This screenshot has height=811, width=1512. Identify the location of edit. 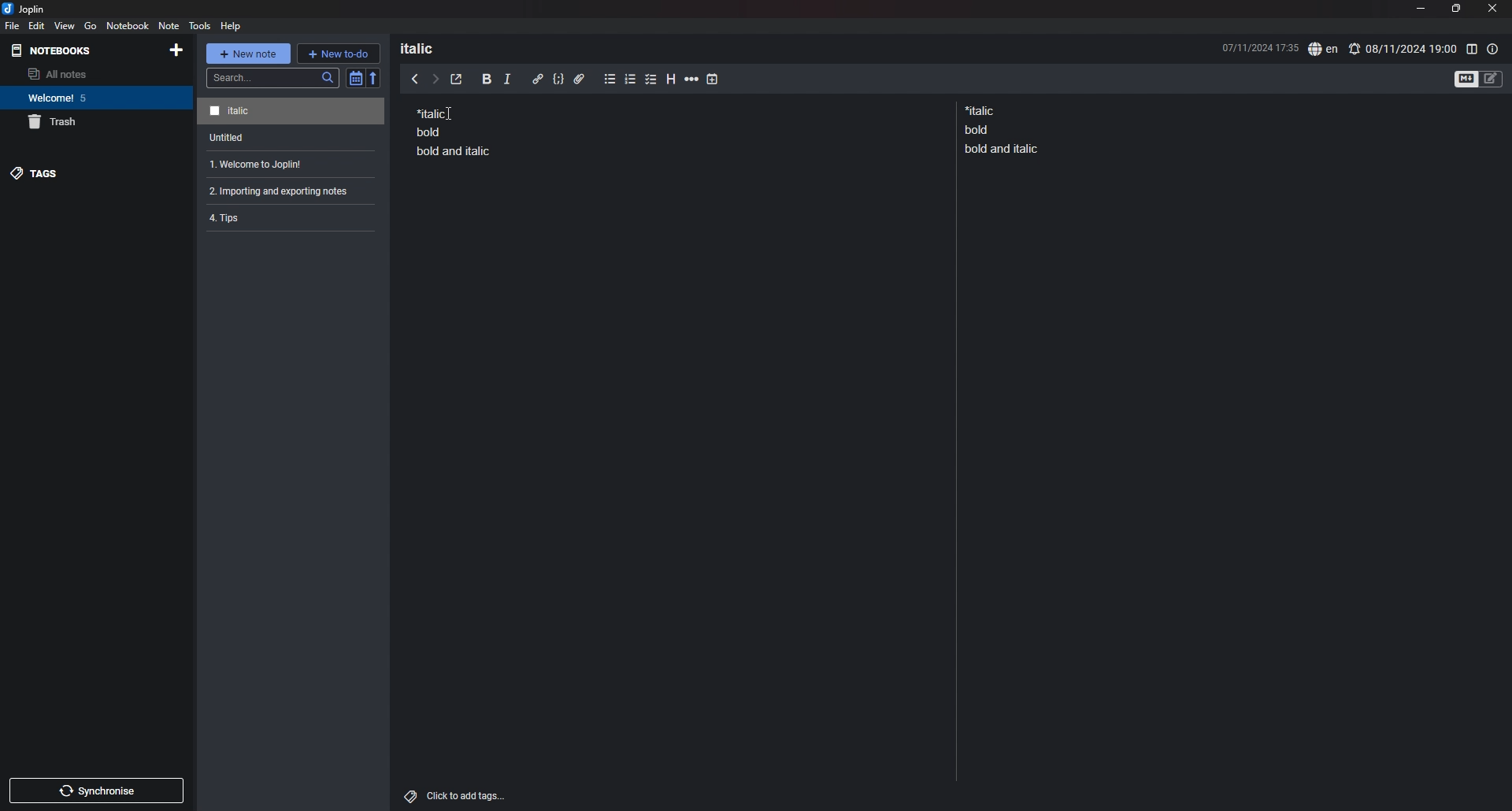
(37, 25).